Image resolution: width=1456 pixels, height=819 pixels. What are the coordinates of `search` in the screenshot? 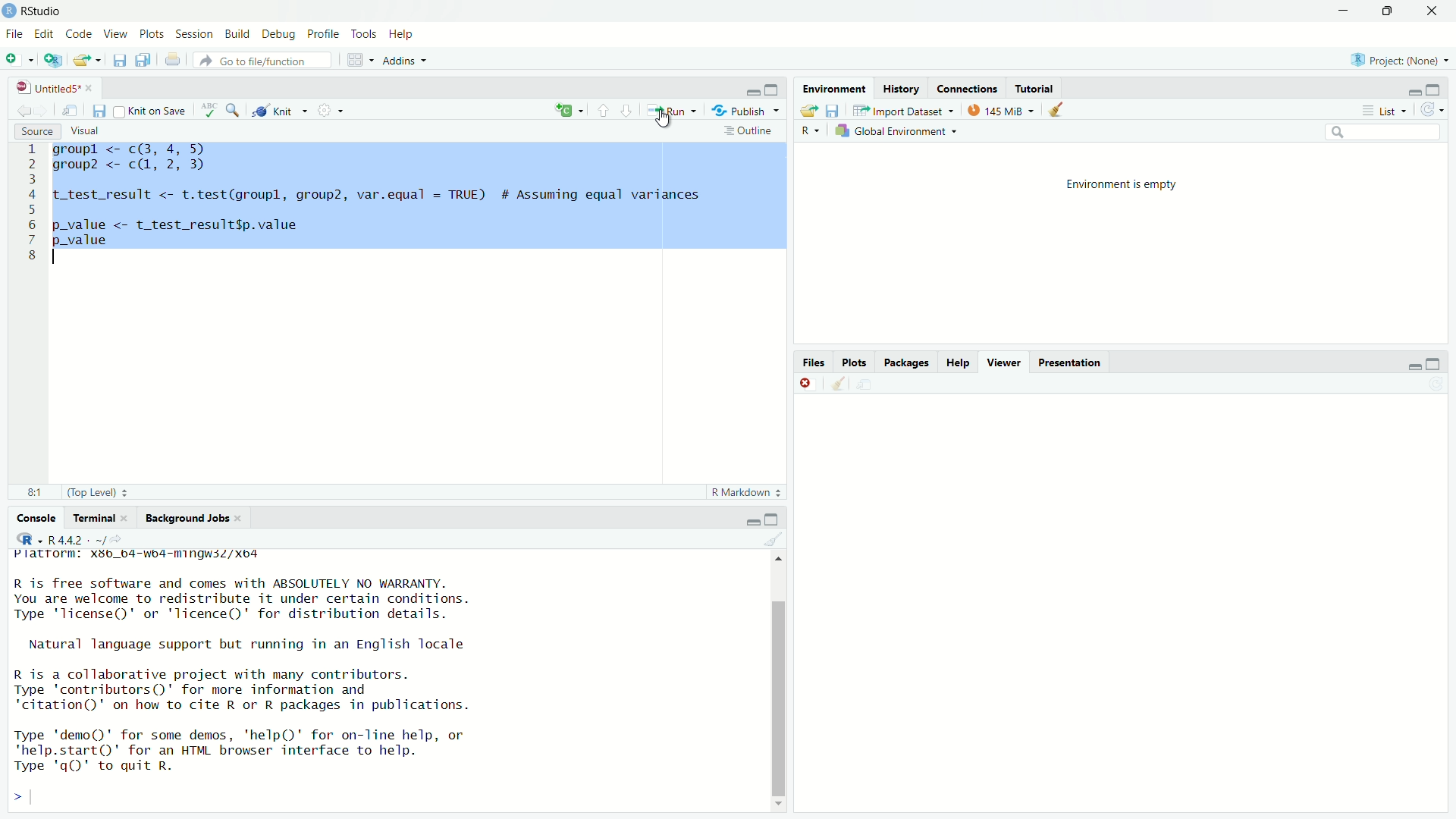 It's located at (233, 108).